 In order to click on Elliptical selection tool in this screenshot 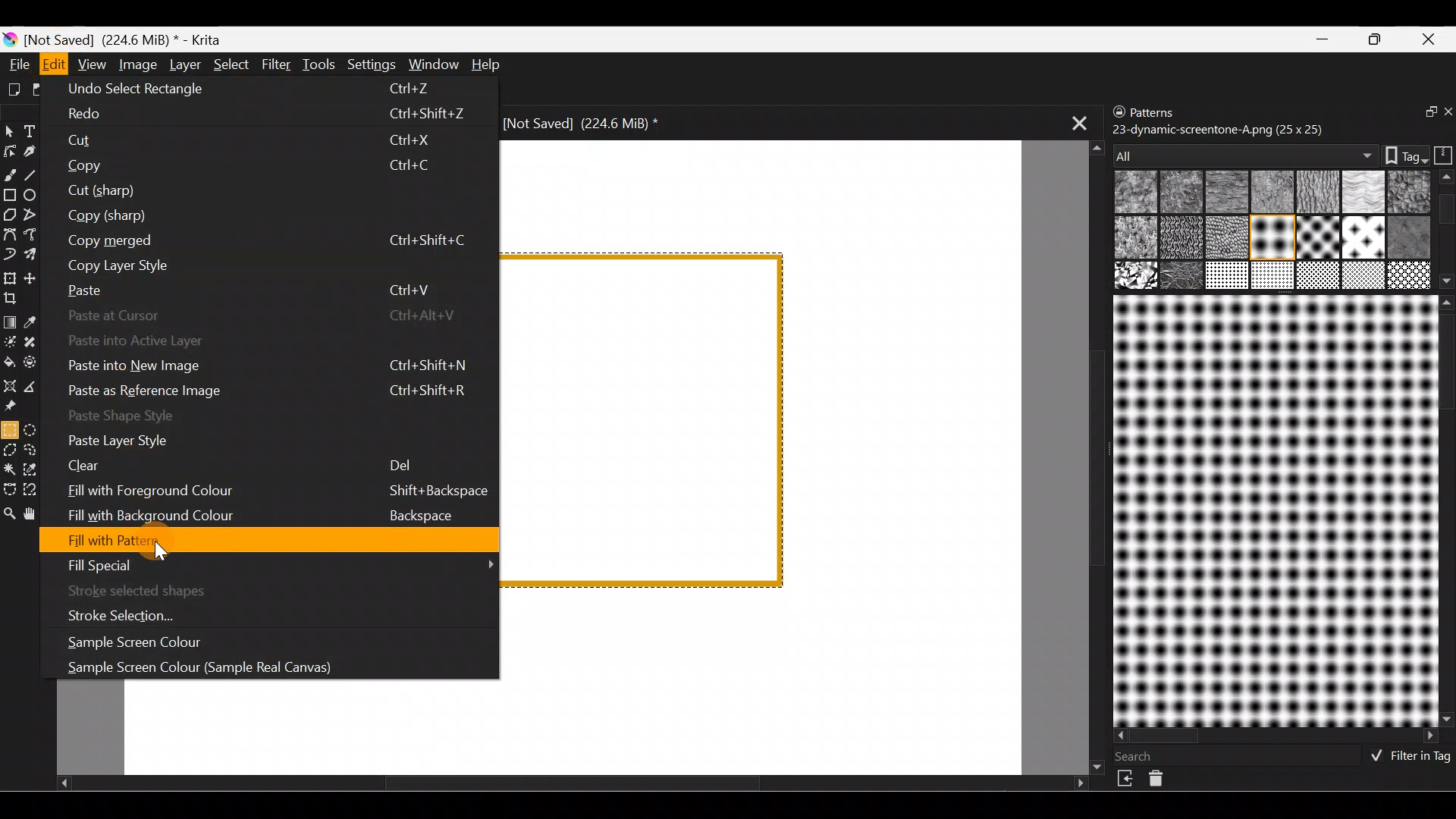, I will do `click(35, 429)`.